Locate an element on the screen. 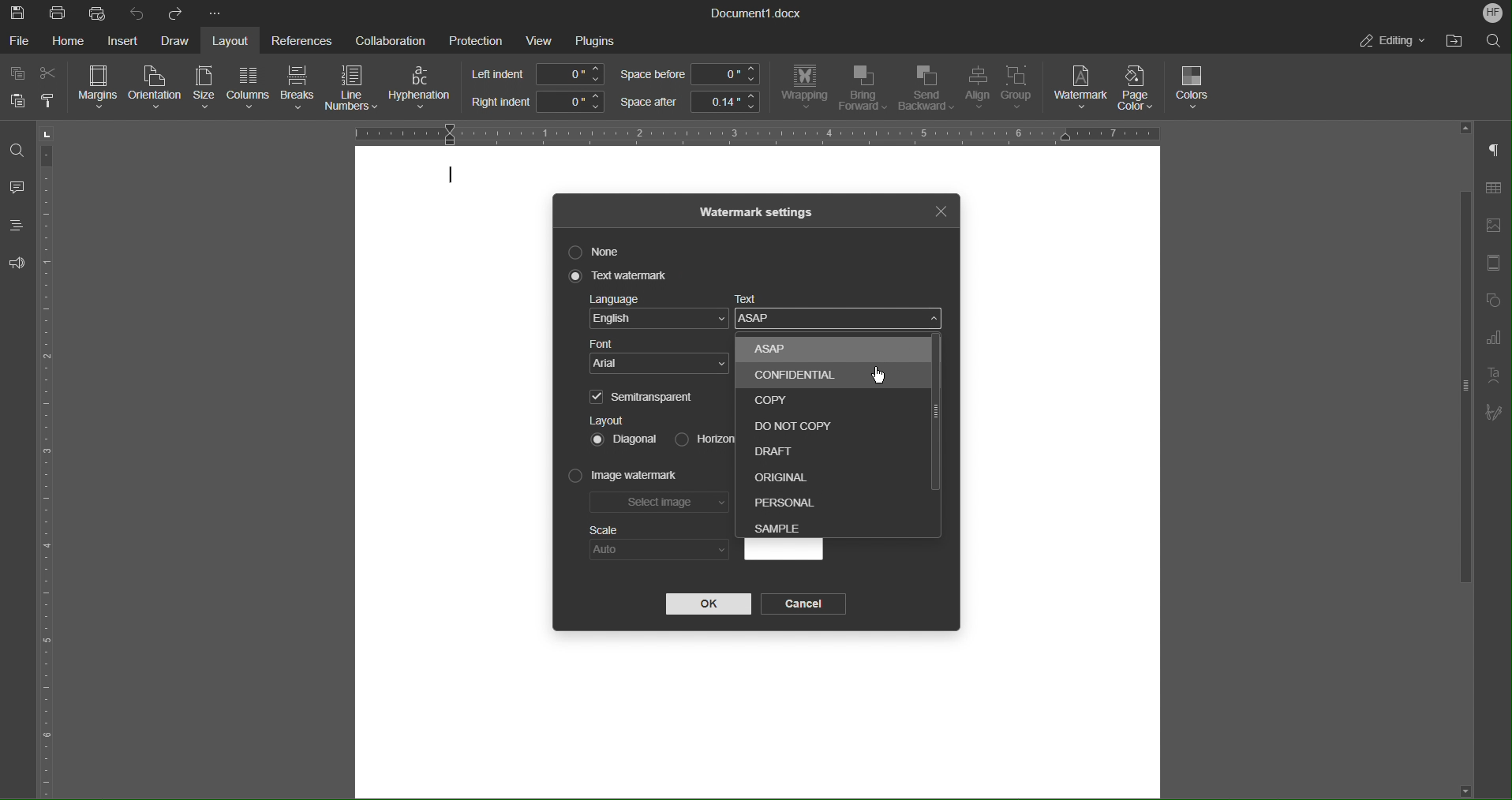  Cut is located at coordinates (51, 73).